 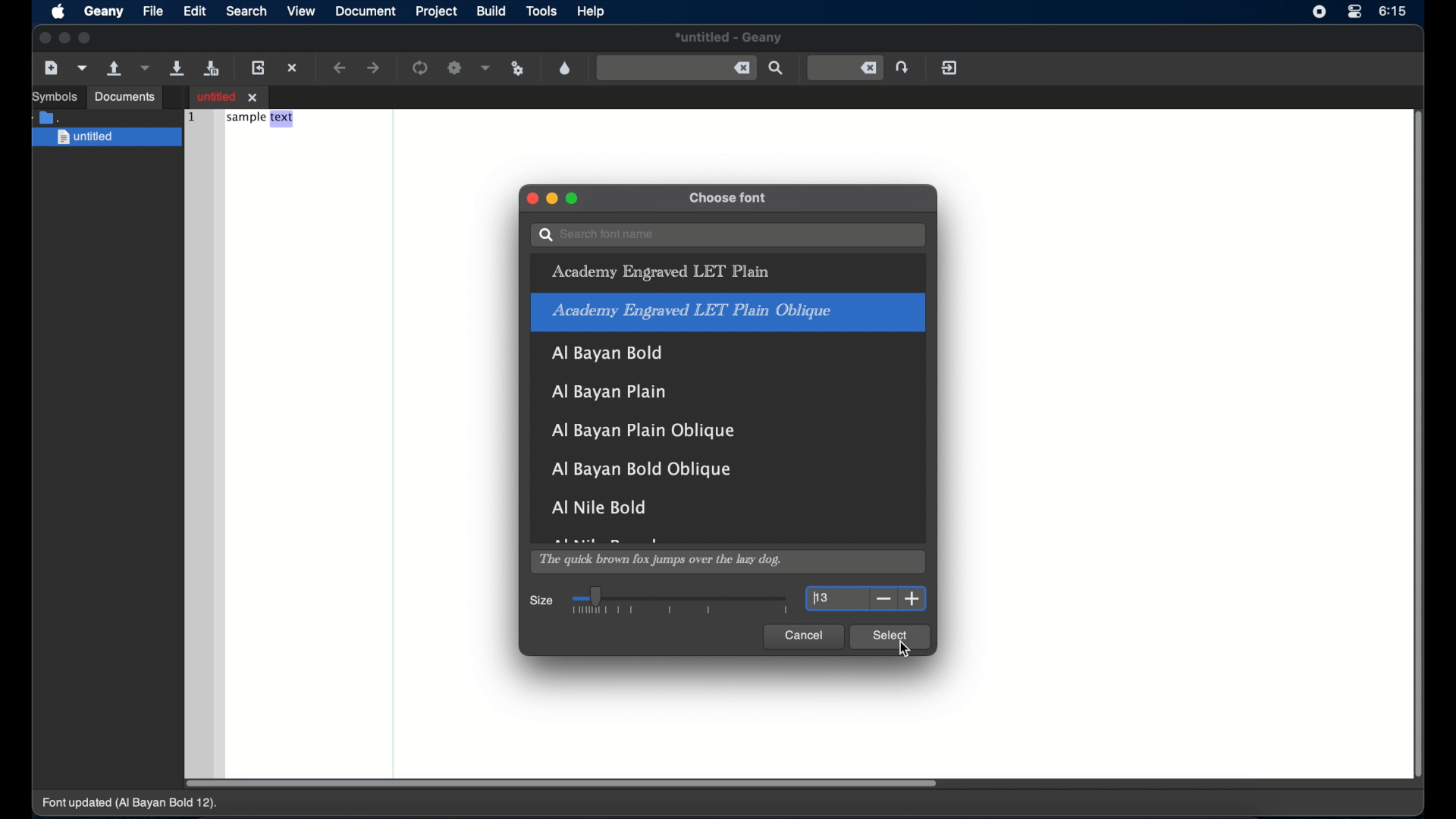 I want to click on scroll box, so click(x=1420, y=447).